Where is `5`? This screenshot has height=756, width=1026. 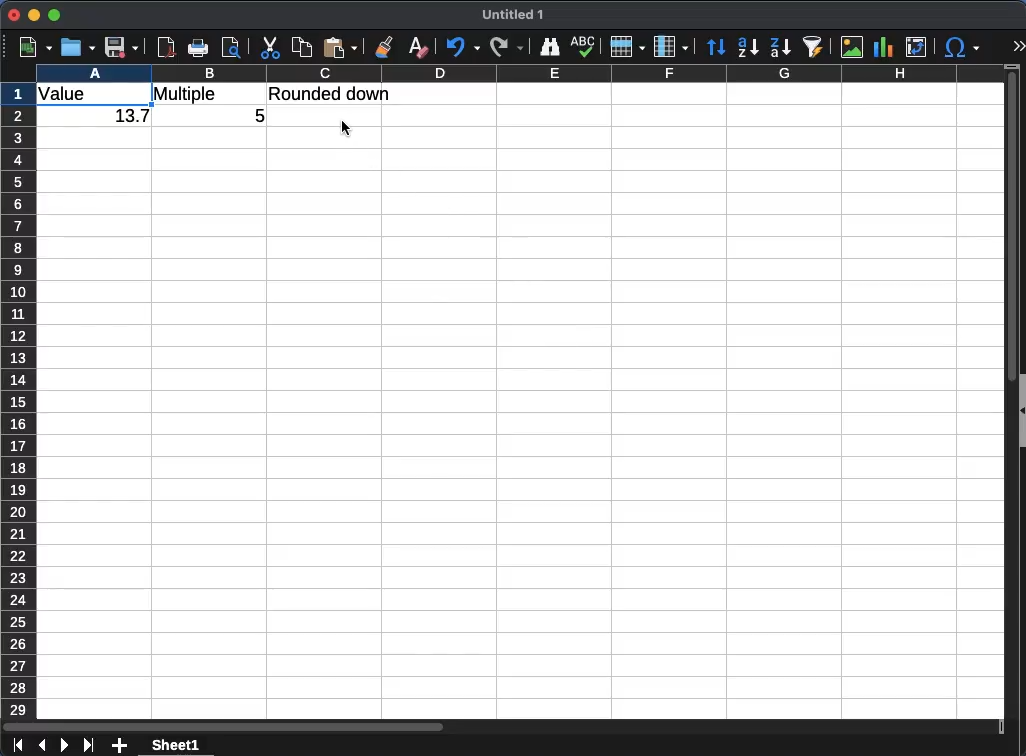 5 is located at coordinates (256, 113).